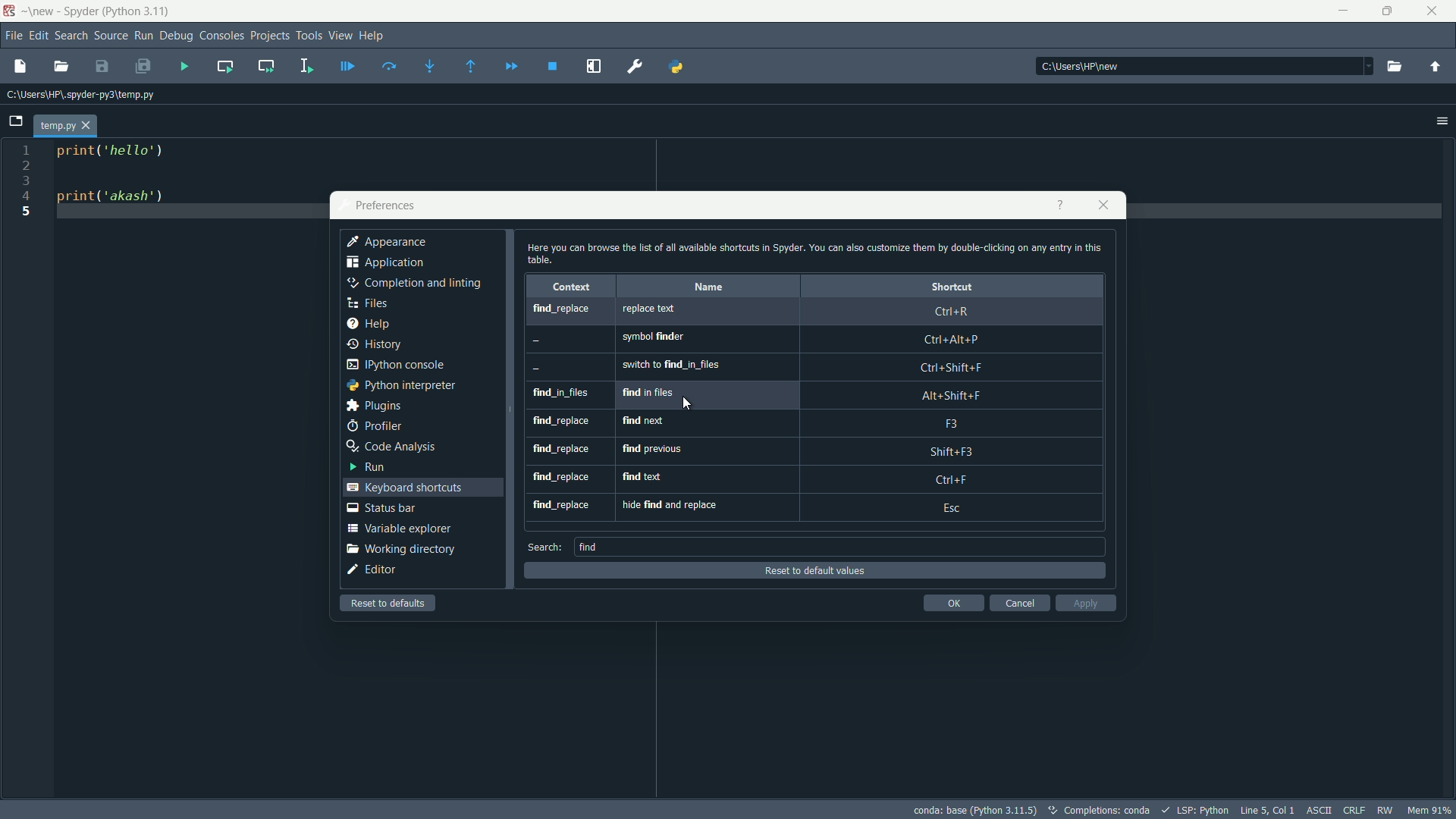 The image size is (1456, 819). Describe the element at coordinates (62, 67) in the screenshot. I see `open file` at that location.